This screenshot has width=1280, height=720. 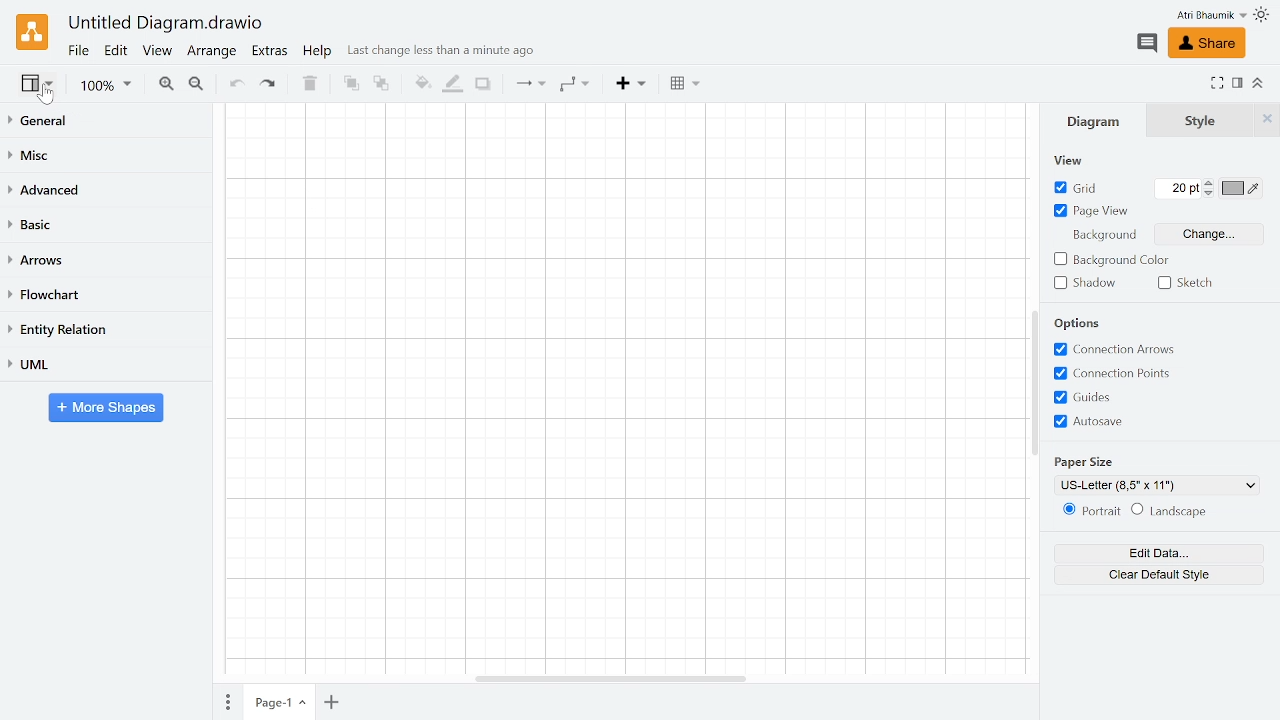 What do you see at coordinates (1157, 574) in the screenshot?
I see `Clear default style` at bounding box center [1157, 574].